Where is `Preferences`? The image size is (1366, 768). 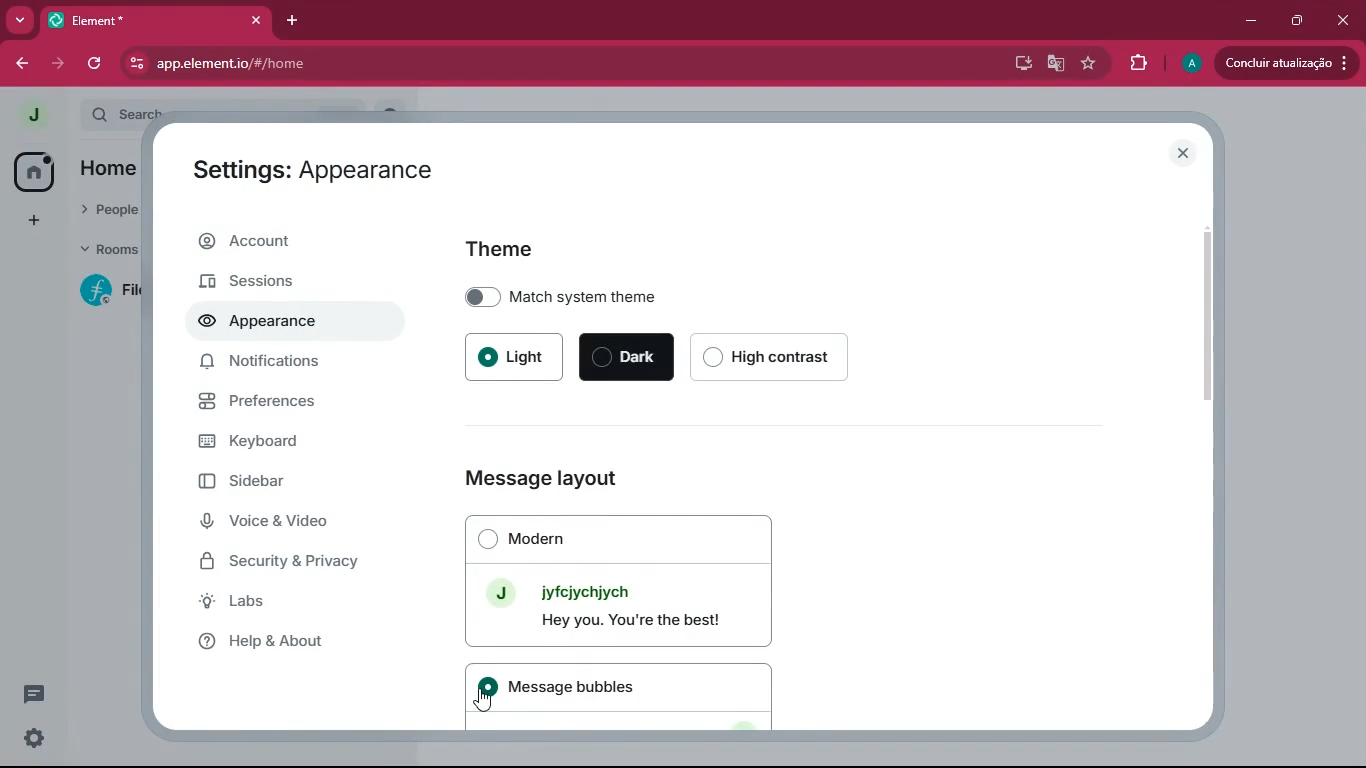
Preferences is located at coordinates (269, 400).